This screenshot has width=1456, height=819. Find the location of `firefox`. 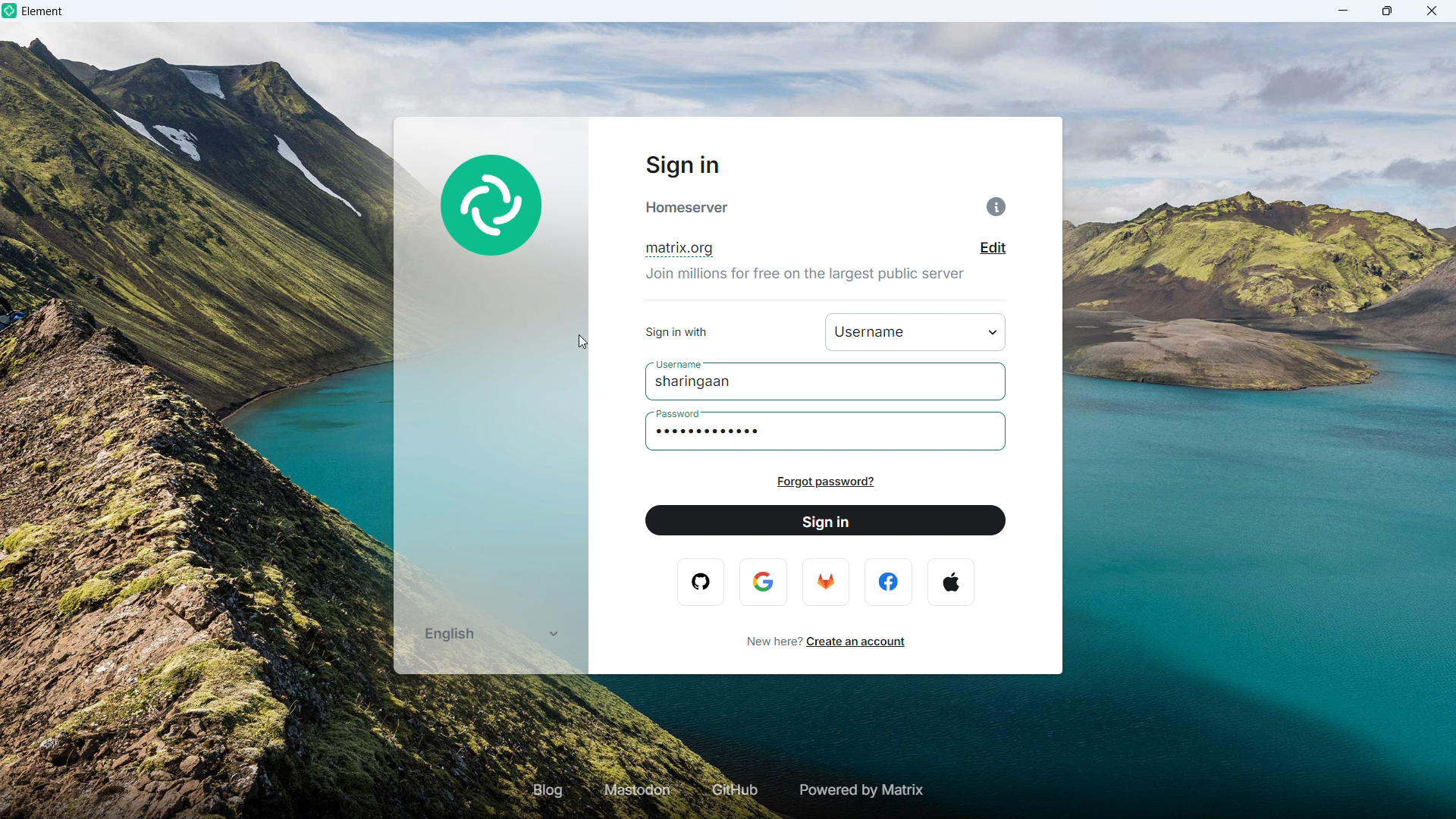

firefox is located at coordinates (824, 581).